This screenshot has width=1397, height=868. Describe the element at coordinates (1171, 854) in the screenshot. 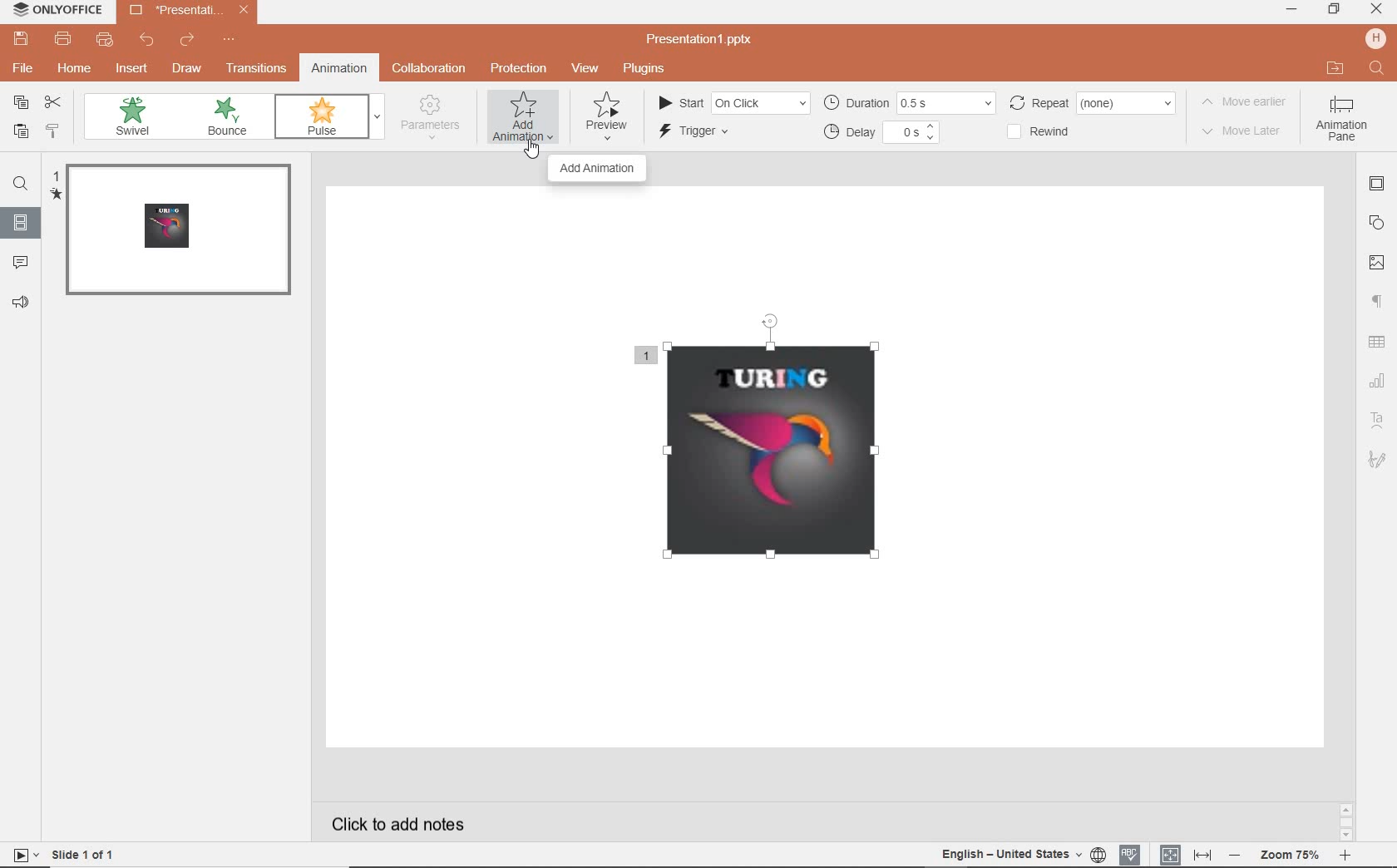

I see `fit to slide` at that location.